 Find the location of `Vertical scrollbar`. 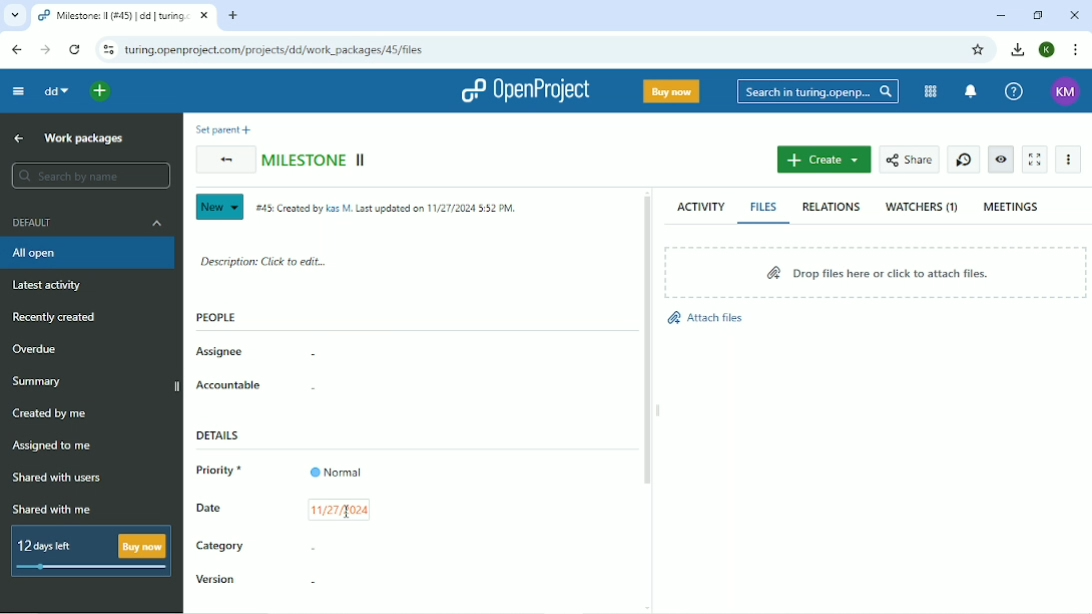

Vertical scrollbar is located at coordinates (646, 342).